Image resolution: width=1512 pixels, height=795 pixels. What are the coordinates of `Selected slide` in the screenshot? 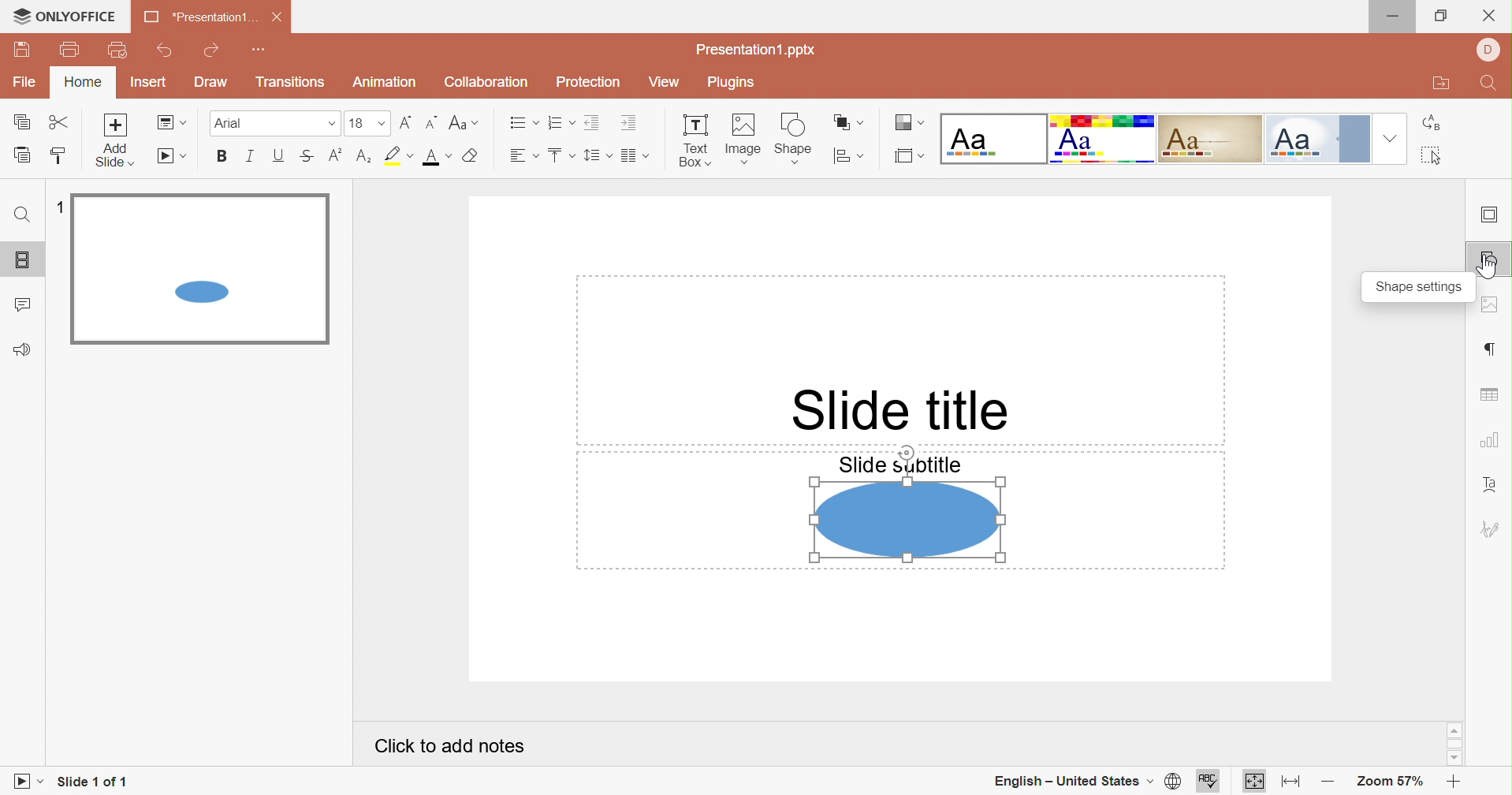 It's located at (200, 269).